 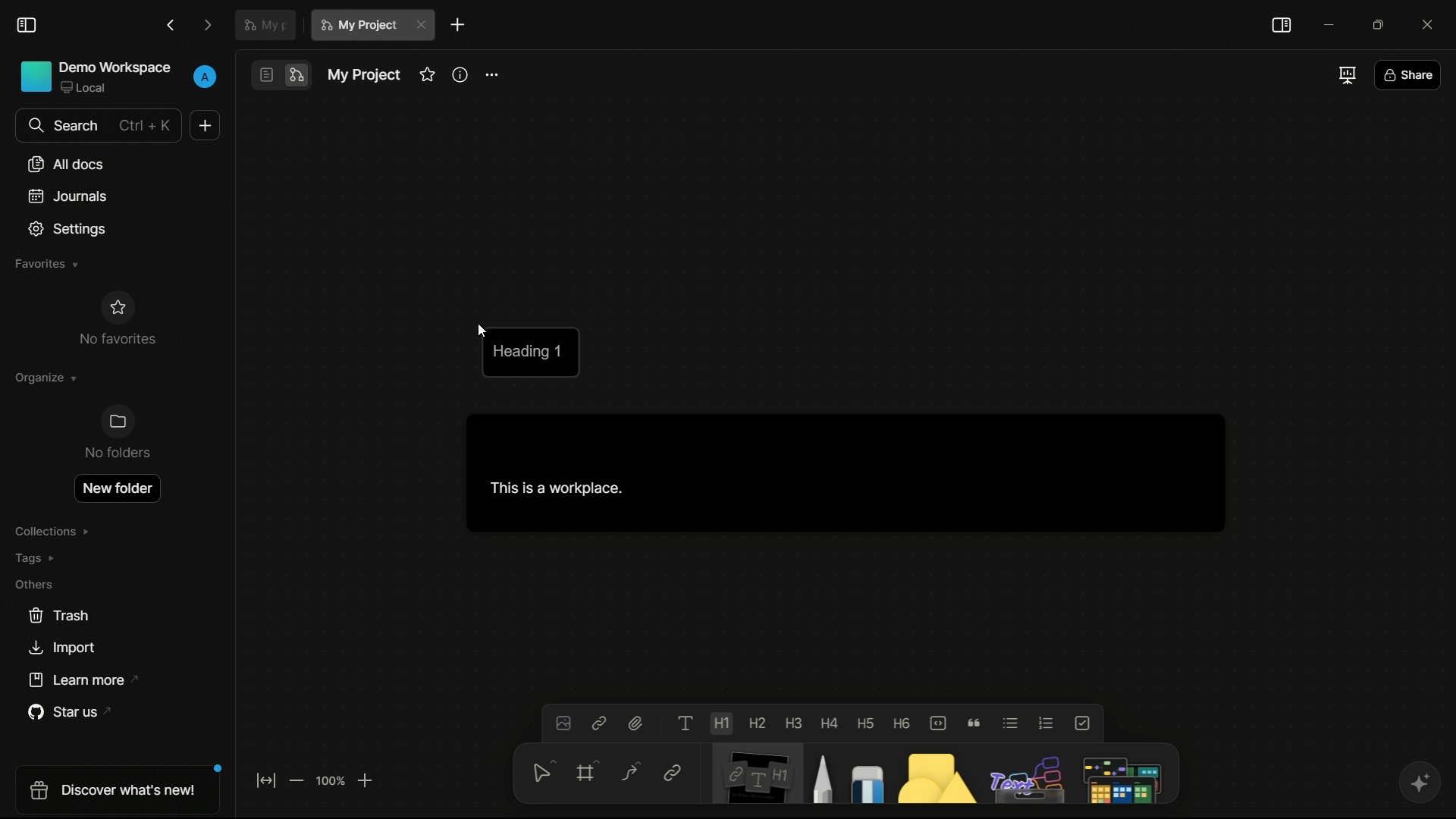 I want to click on info, so click(x=460, y=73).